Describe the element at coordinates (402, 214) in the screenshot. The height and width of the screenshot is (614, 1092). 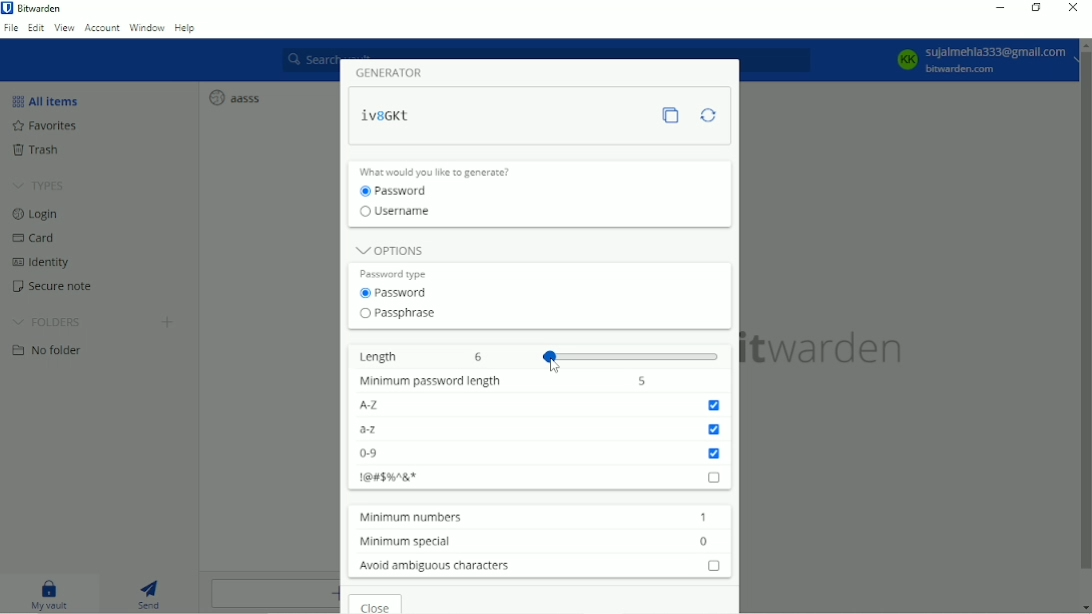
I see `Username` at that location.